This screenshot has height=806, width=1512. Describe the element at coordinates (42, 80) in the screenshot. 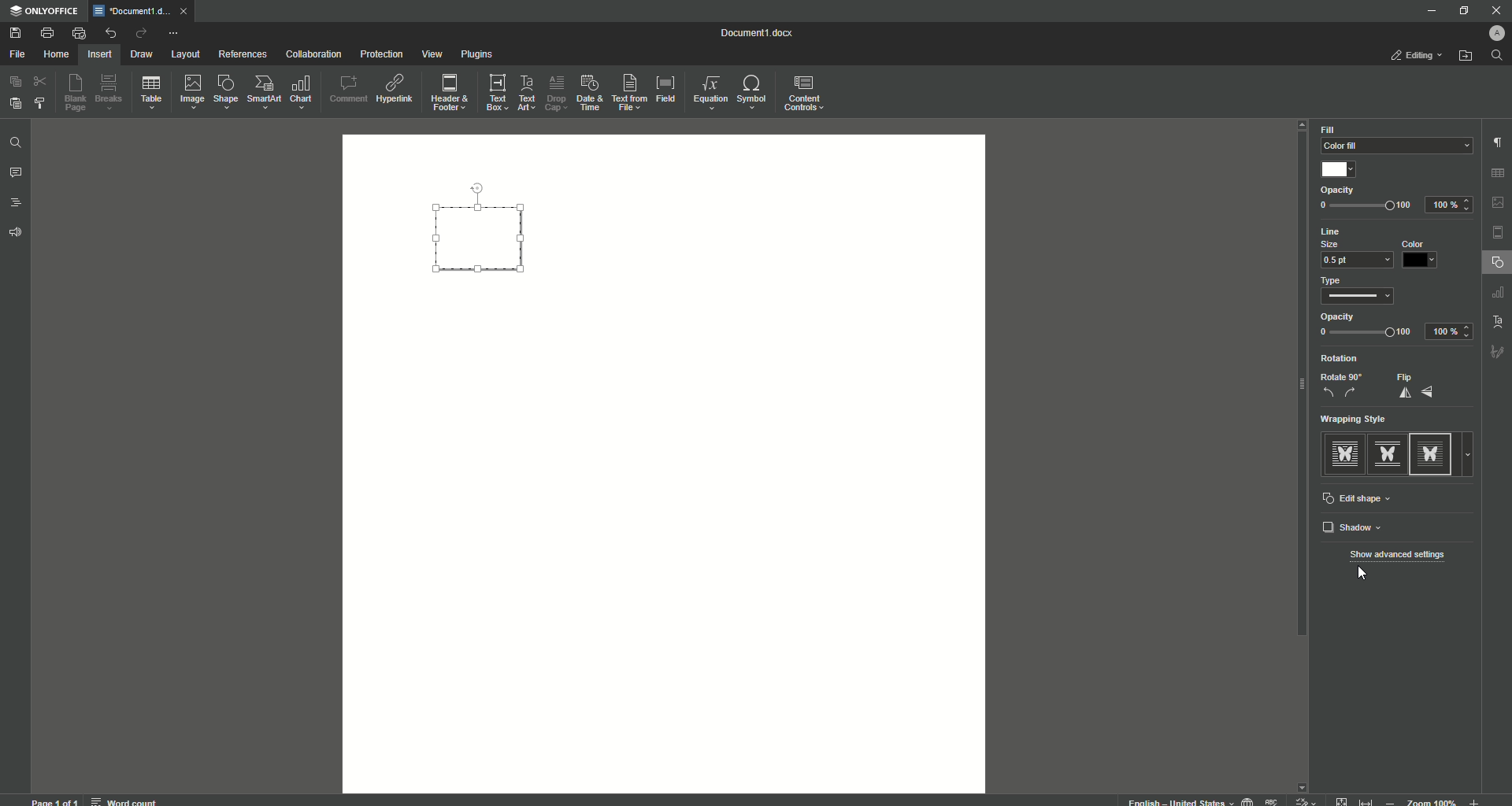

I see `Cut` at that location.